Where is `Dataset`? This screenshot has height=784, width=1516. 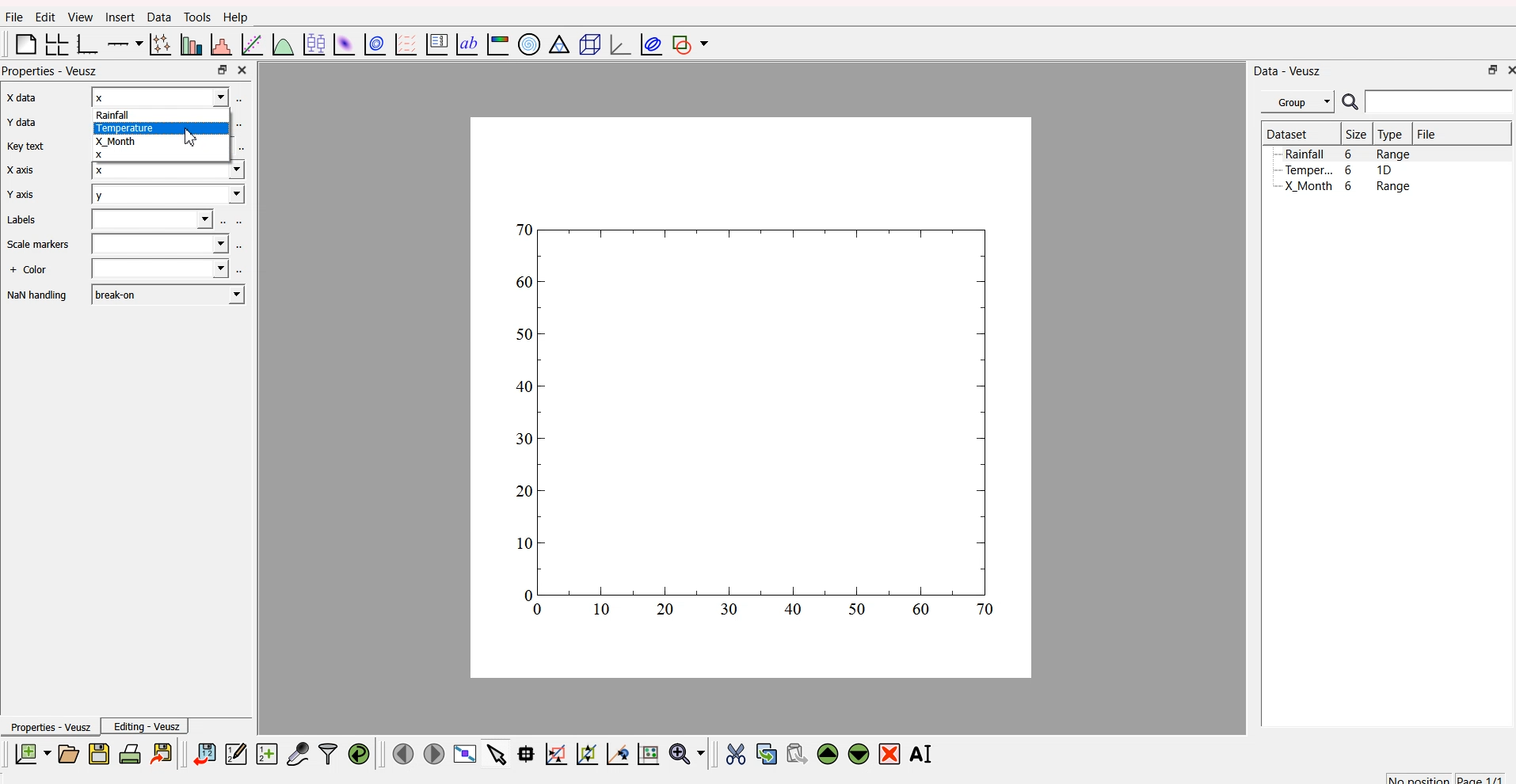 Dataset is located at coordinates (1287, 133).